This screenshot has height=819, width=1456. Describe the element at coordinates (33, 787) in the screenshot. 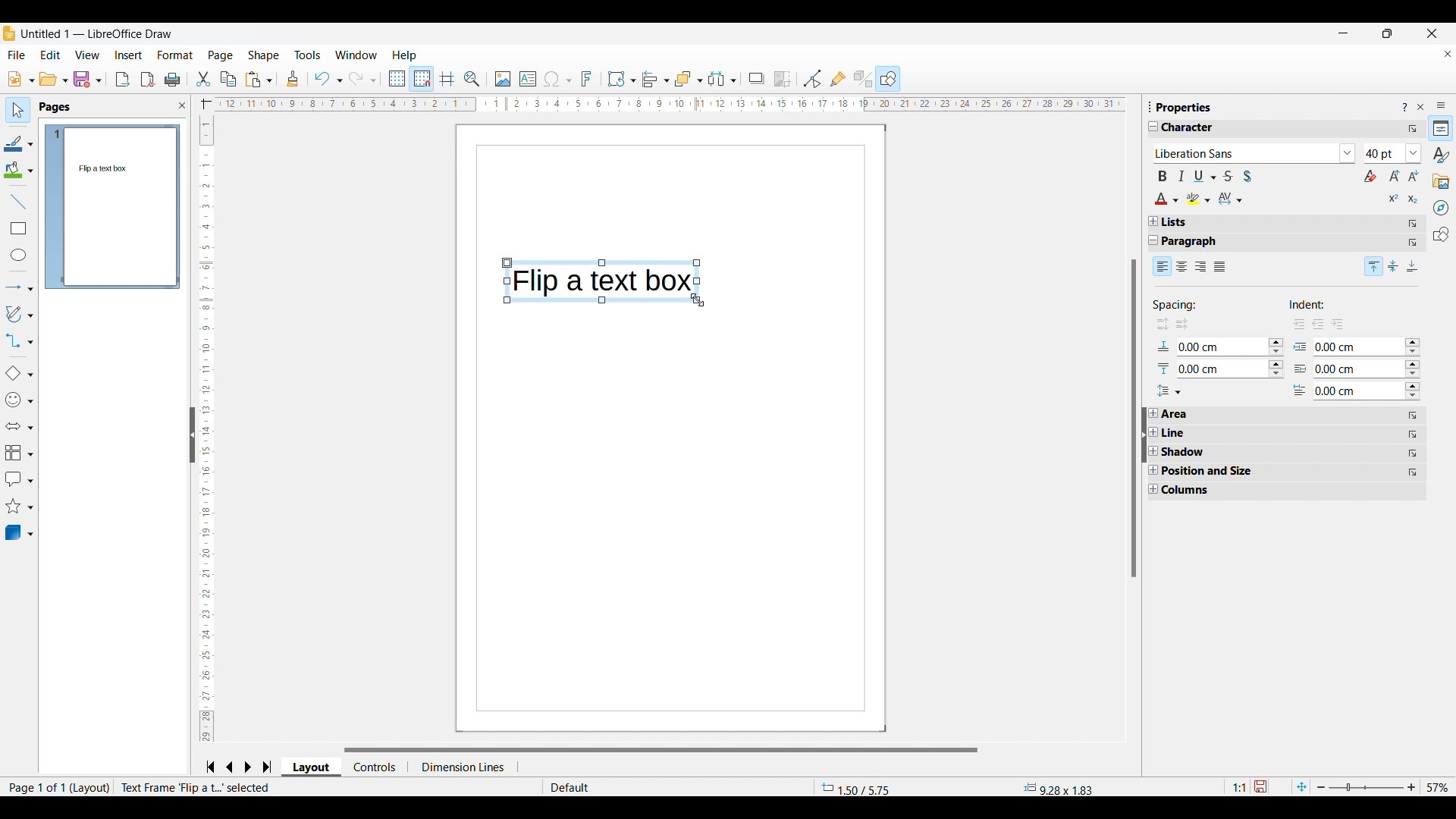

I see `Page 1 of 1` at that location.